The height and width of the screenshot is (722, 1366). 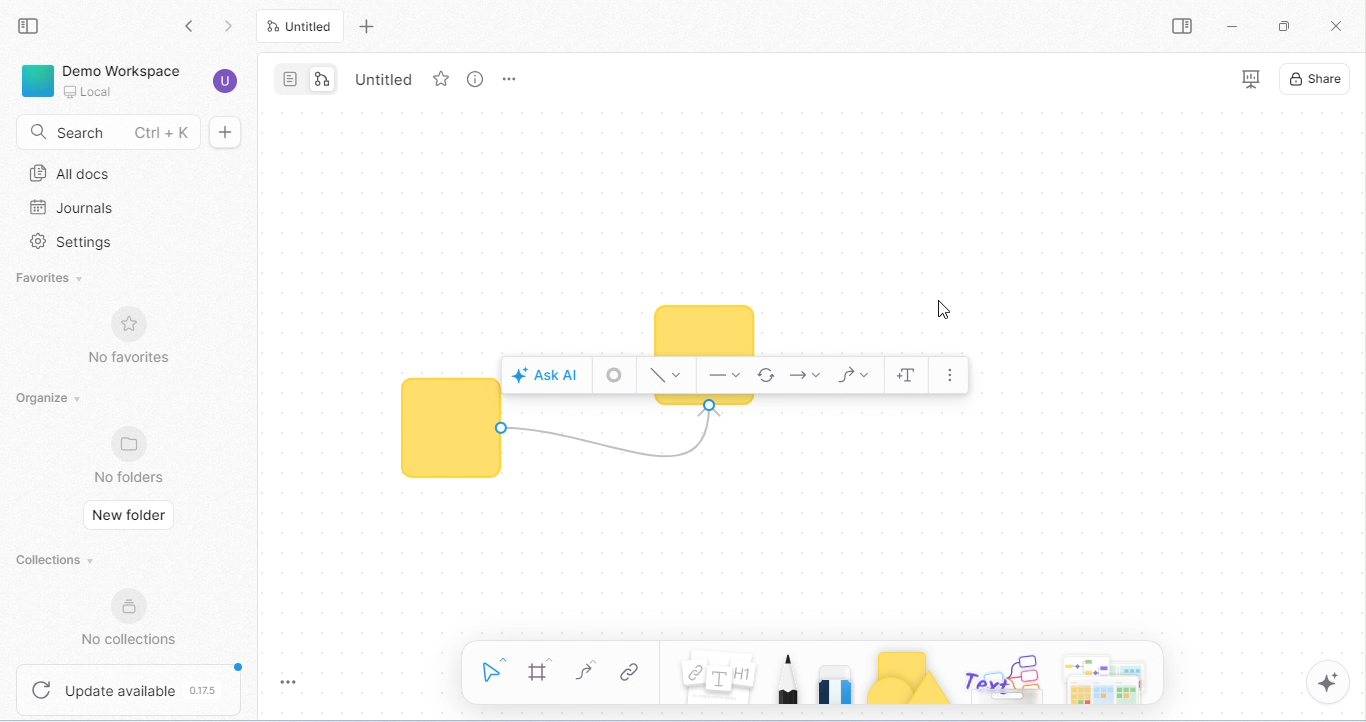 What do you see at coordinates (1328, 681) in the screenshot?
I see `AI assistant` at bounding box center [1328, 681].